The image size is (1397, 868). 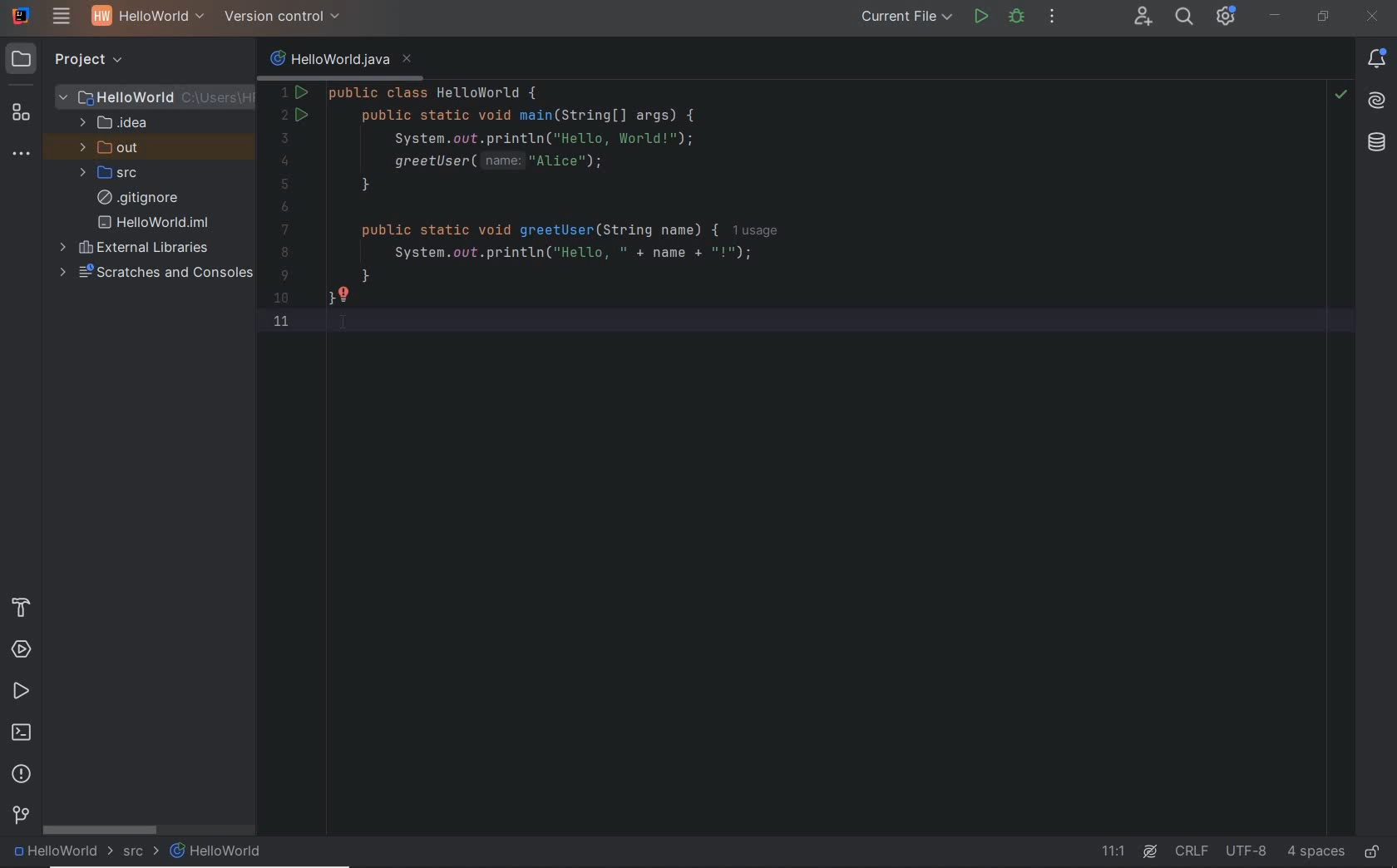 I want to click on run, so click(x=22, y=693).